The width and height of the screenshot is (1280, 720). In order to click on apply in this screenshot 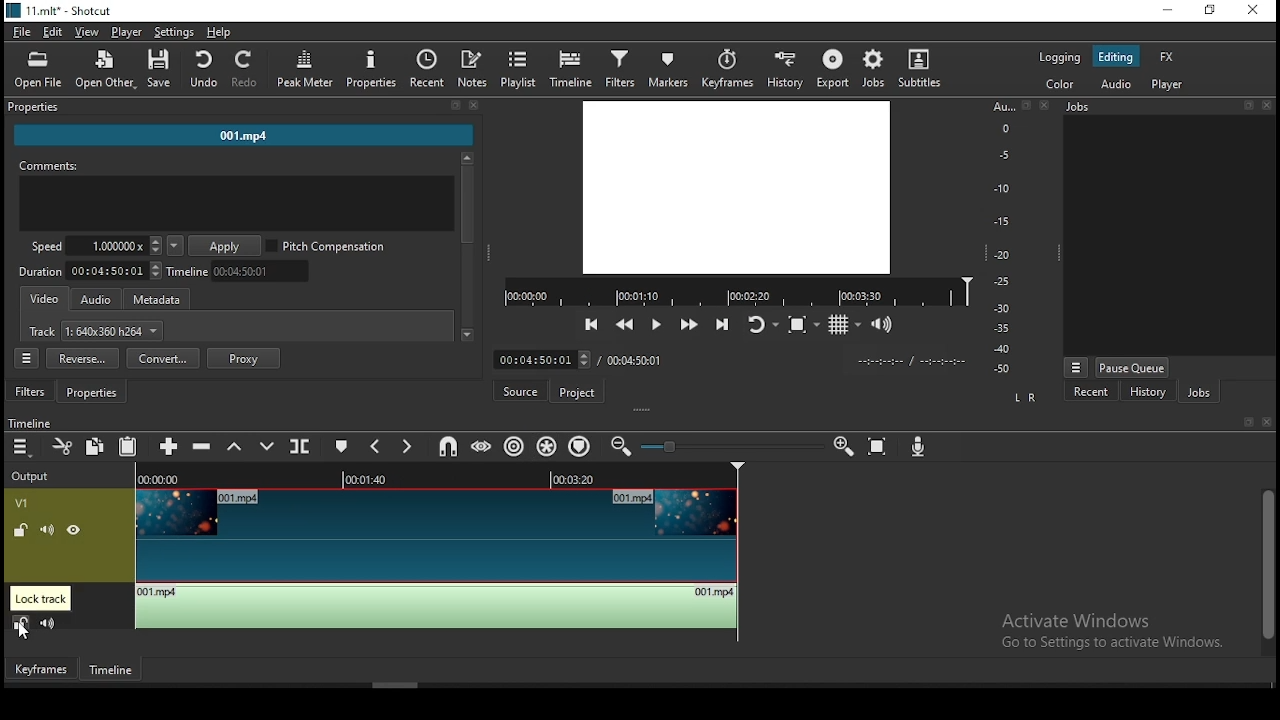, I will do `click(225, 246)`.